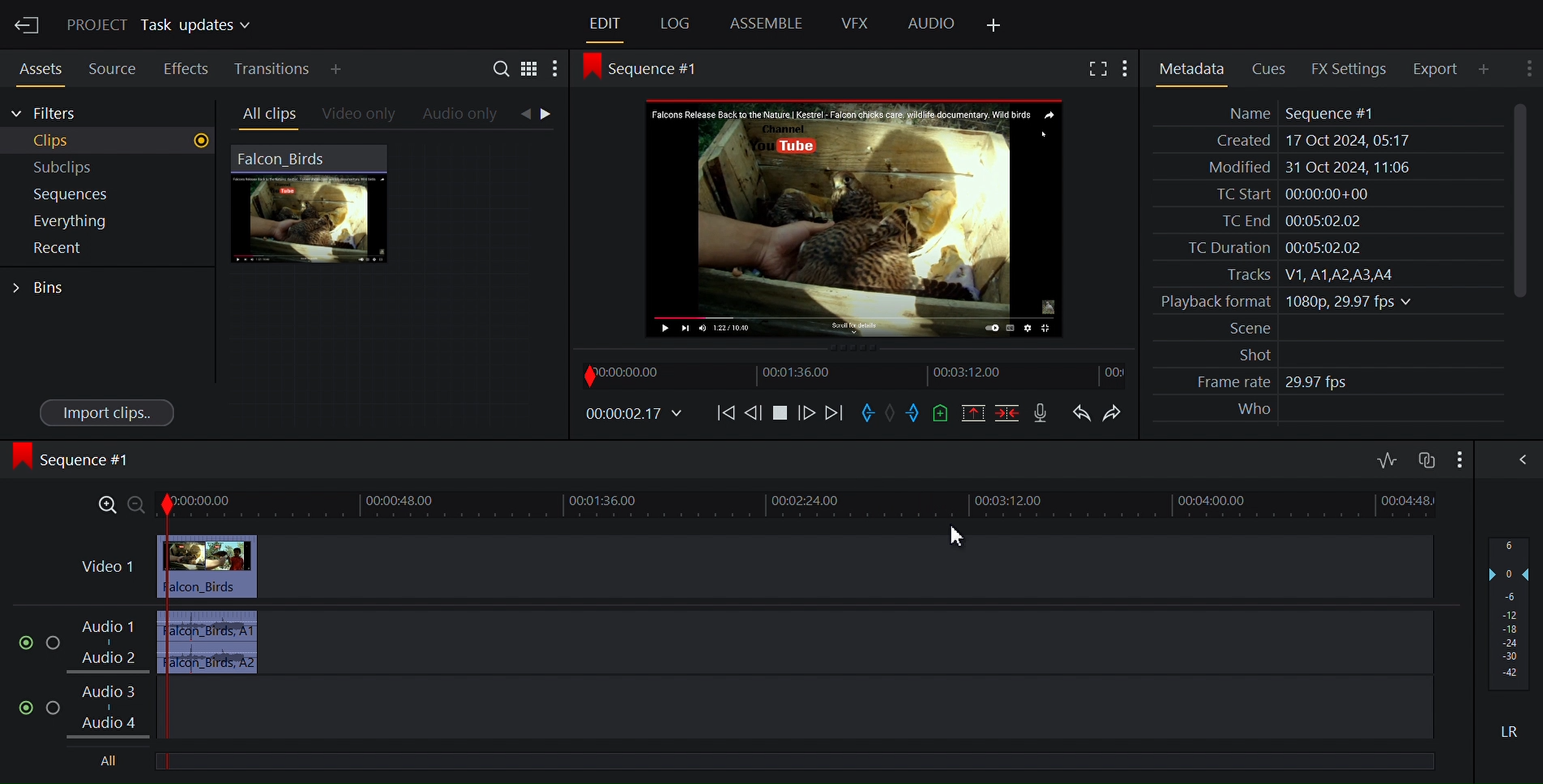  Describe the element at coordinates (1306, 141) in the screenshot. I see `Created 17 Oct 2024, 05:17` at that location.